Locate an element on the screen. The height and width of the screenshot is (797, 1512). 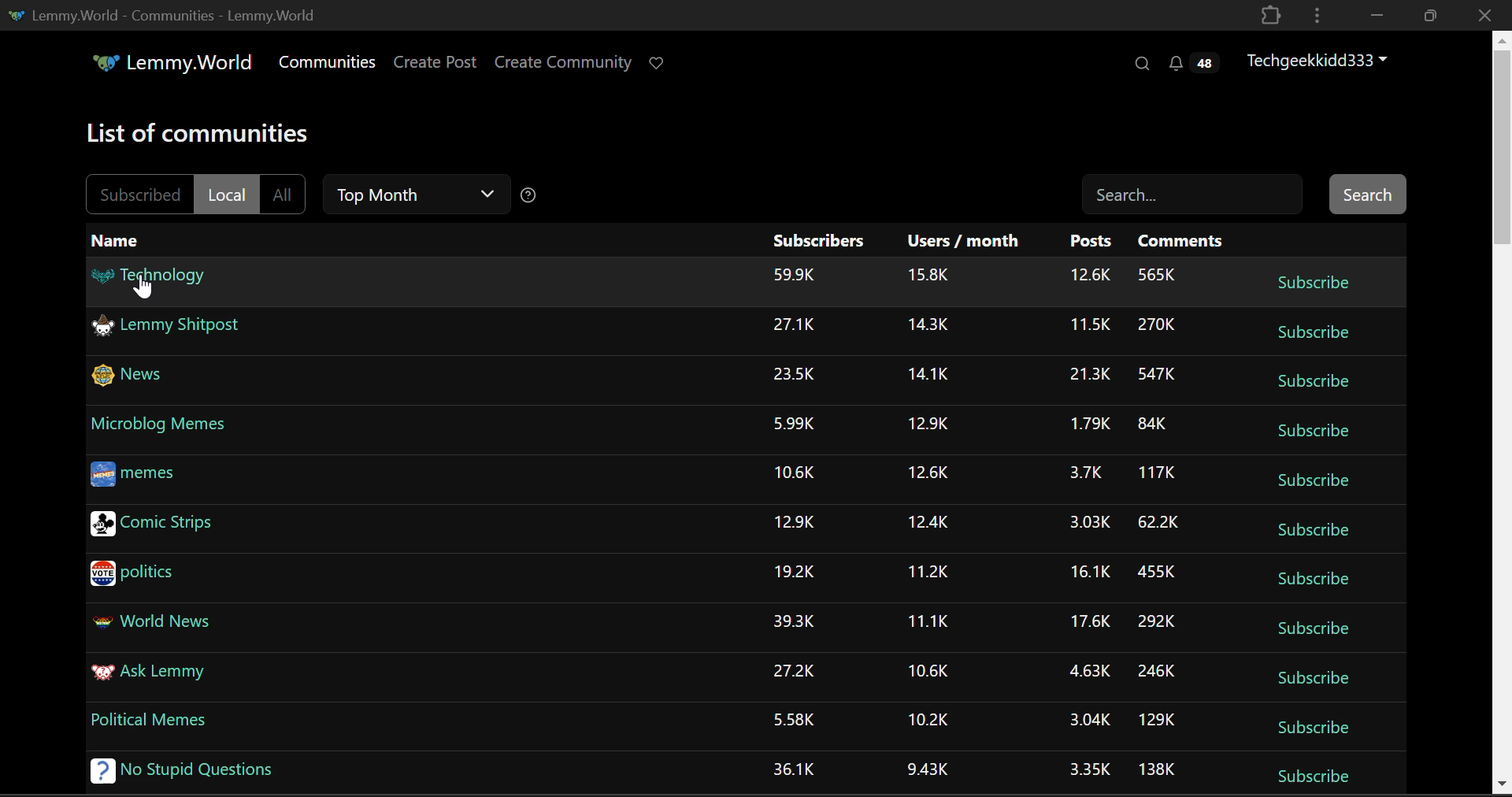
Restore Down is located at coordinates (1373, 13).